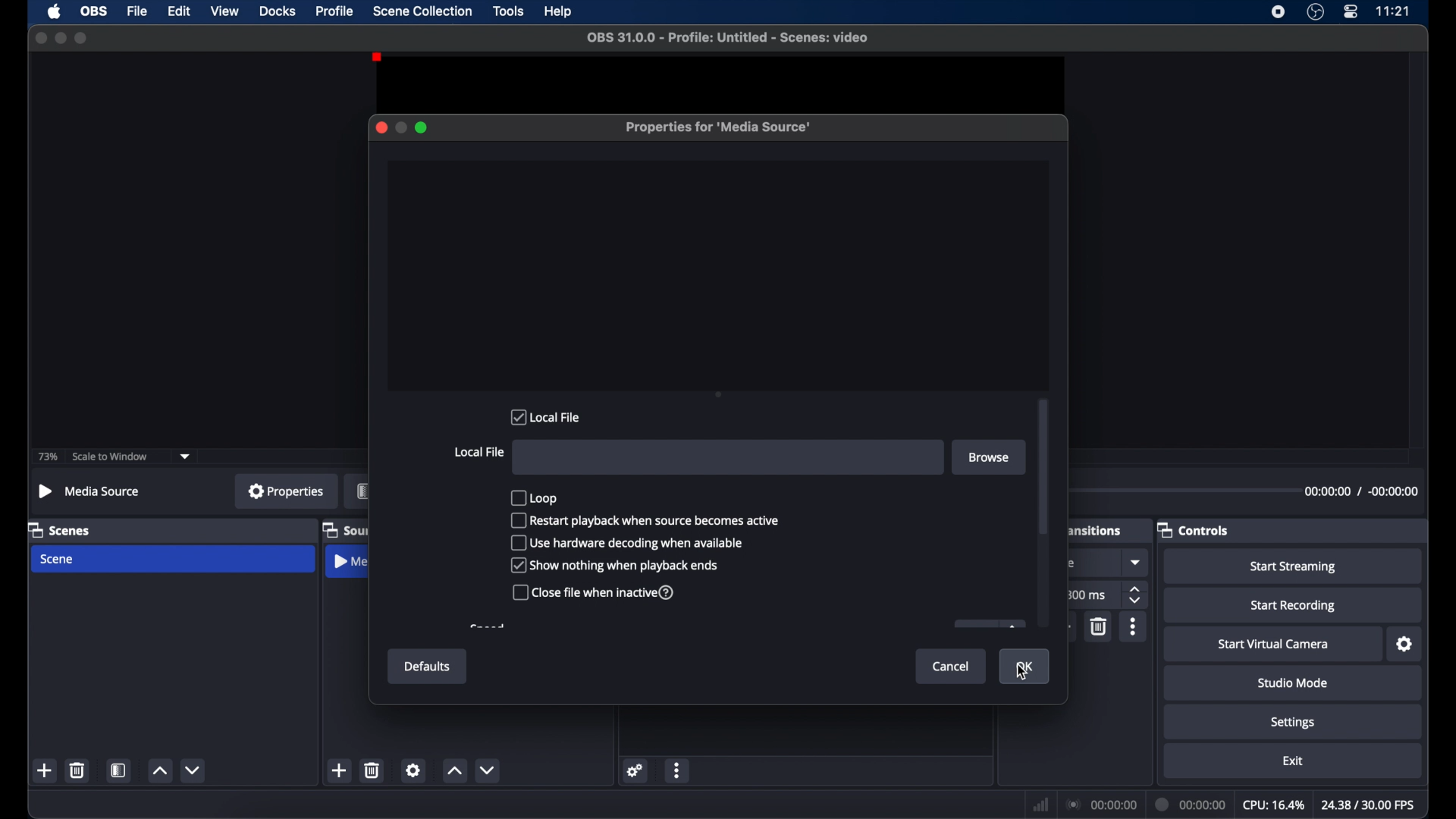  Describe the element at coordinates (1294, 723) in the screenshot. I see `settings` at that location.